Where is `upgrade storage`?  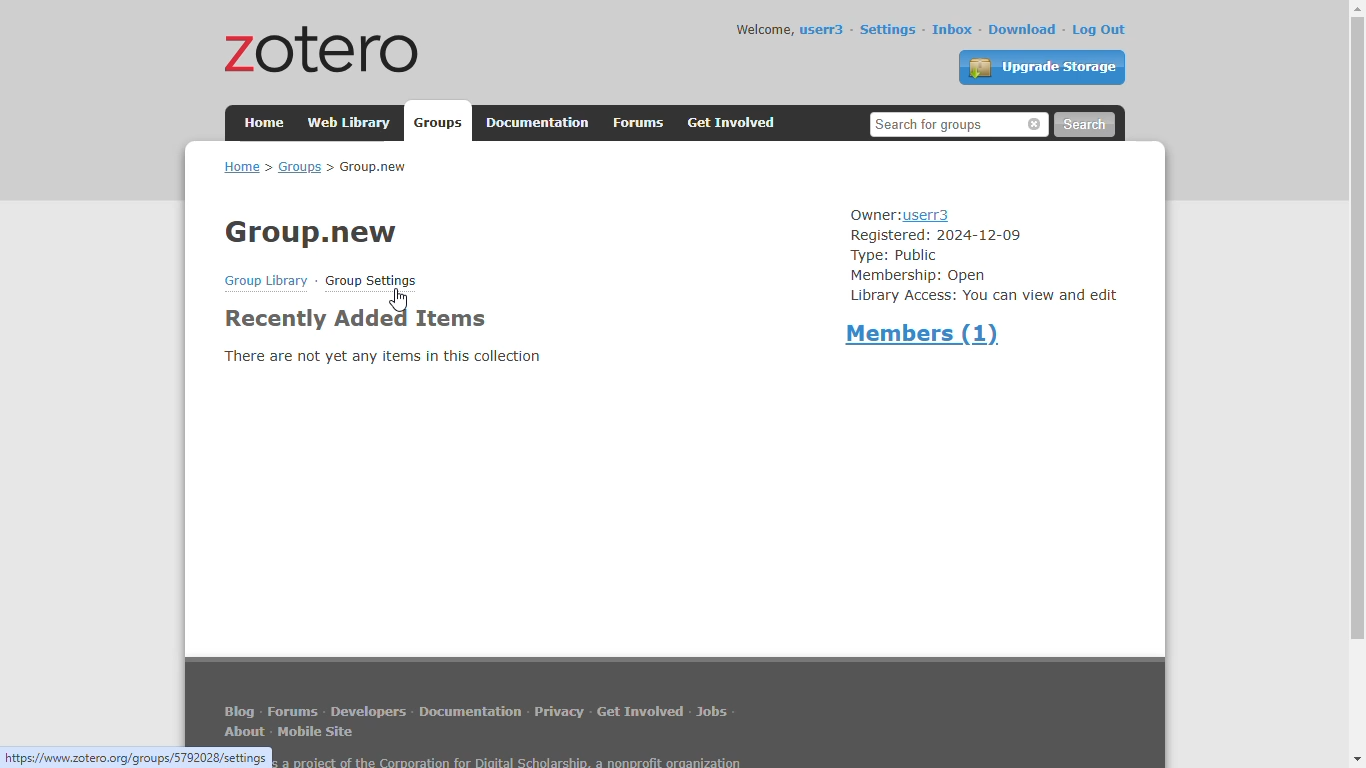
upgrade storage is located at coordinates (1043, 67).